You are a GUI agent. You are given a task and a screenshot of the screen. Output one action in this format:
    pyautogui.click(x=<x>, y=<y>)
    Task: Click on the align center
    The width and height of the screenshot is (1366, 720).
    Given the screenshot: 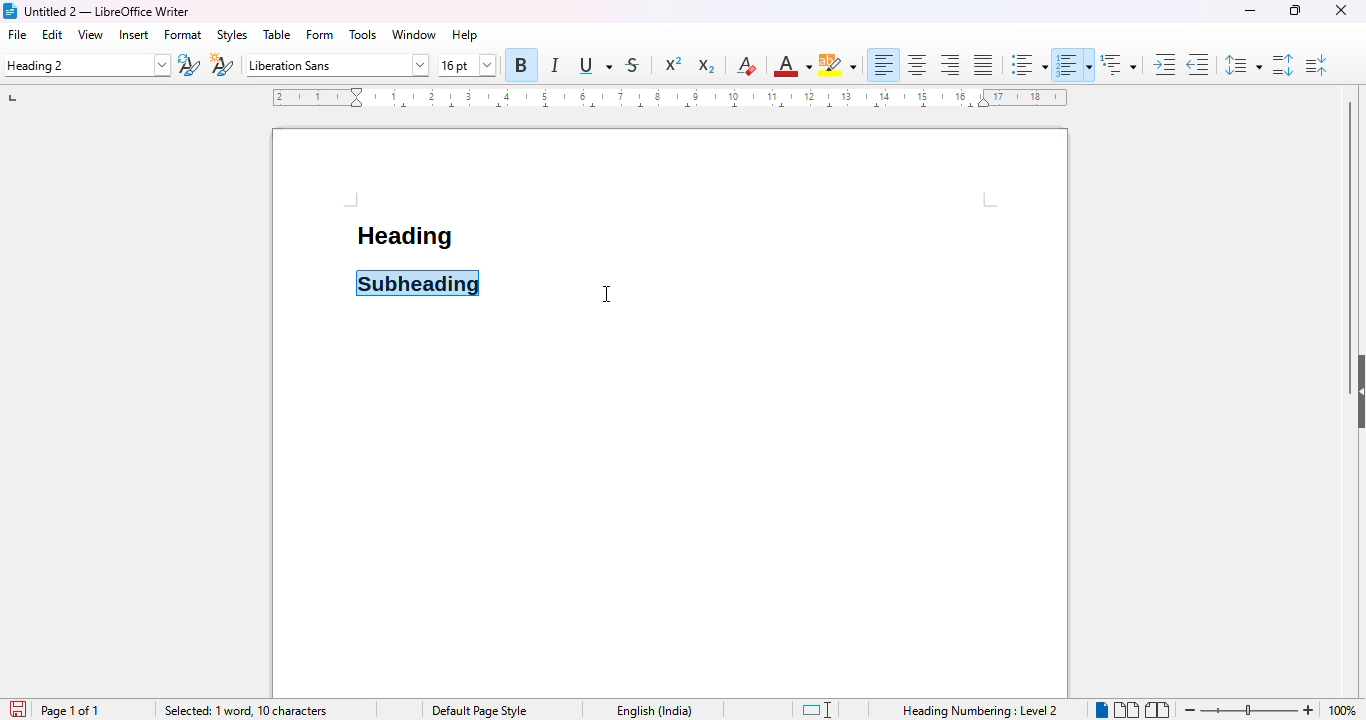 What is the action you would take?
    pyautogui.click(x=918, y=65)
    